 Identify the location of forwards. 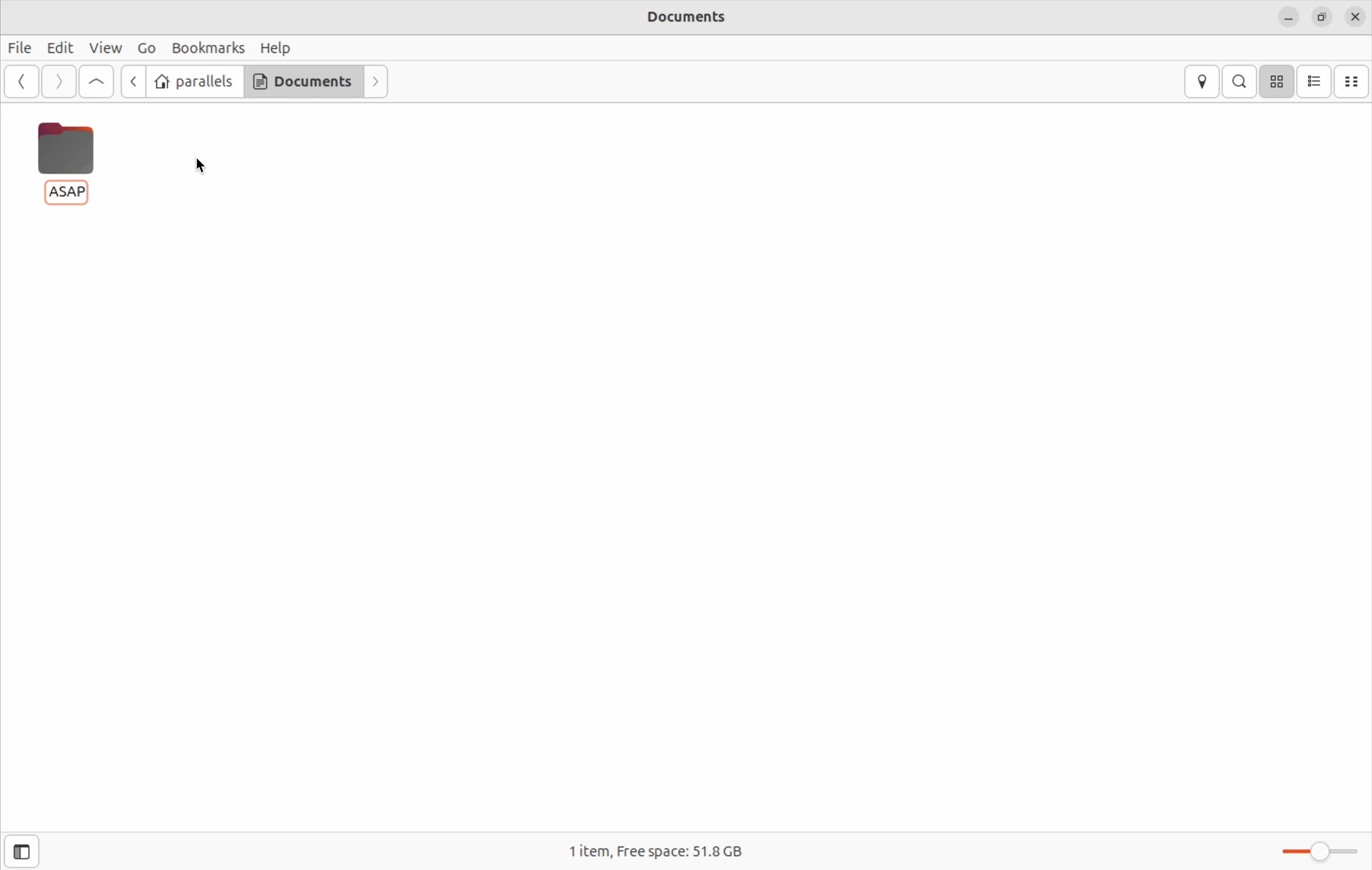
(381, 85).